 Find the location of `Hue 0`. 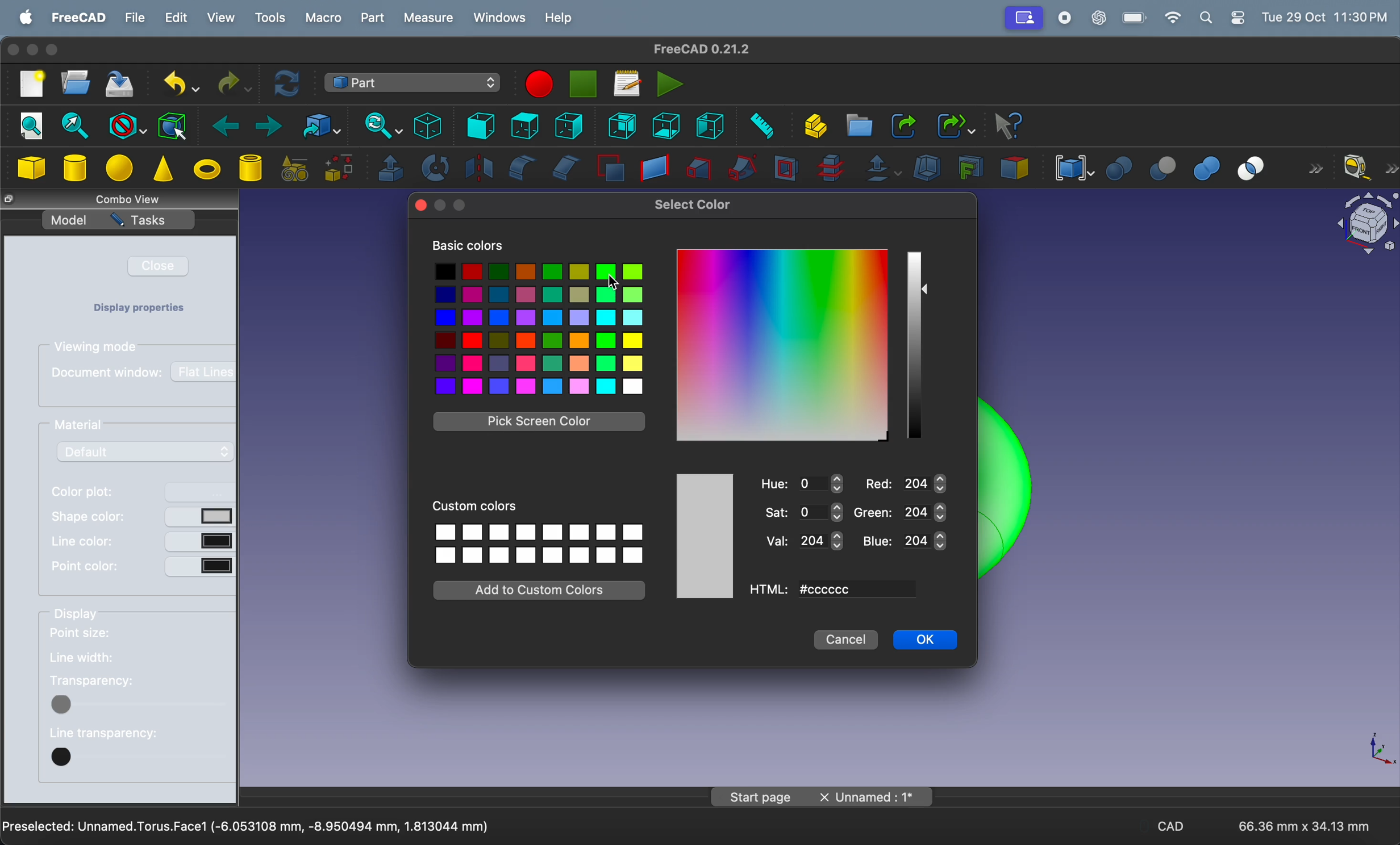

Hue 0 is located at coordinates (805, 484).